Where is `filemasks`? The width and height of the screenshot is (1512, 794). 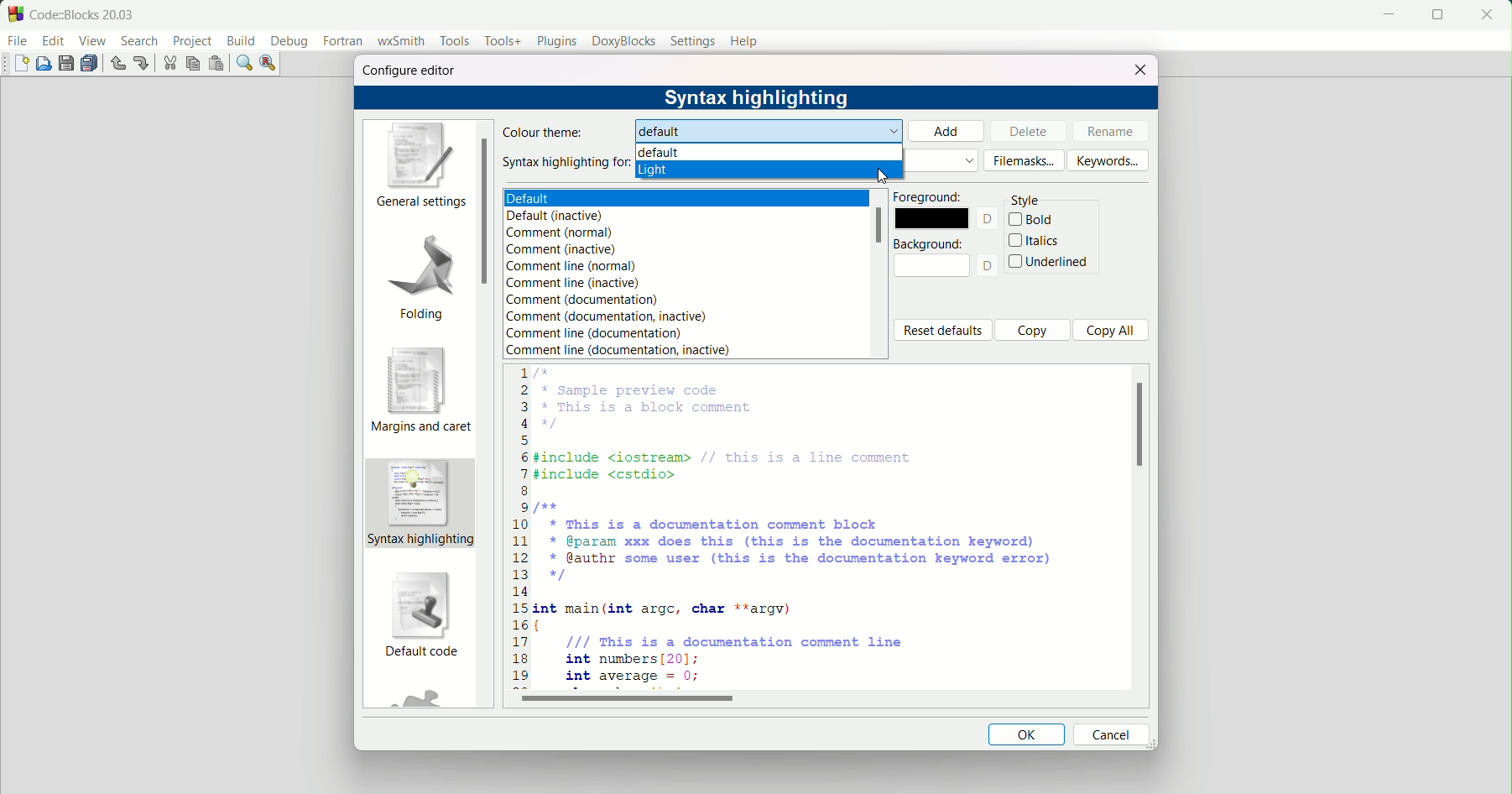 filemasks is located at coordinates (1025, 160).